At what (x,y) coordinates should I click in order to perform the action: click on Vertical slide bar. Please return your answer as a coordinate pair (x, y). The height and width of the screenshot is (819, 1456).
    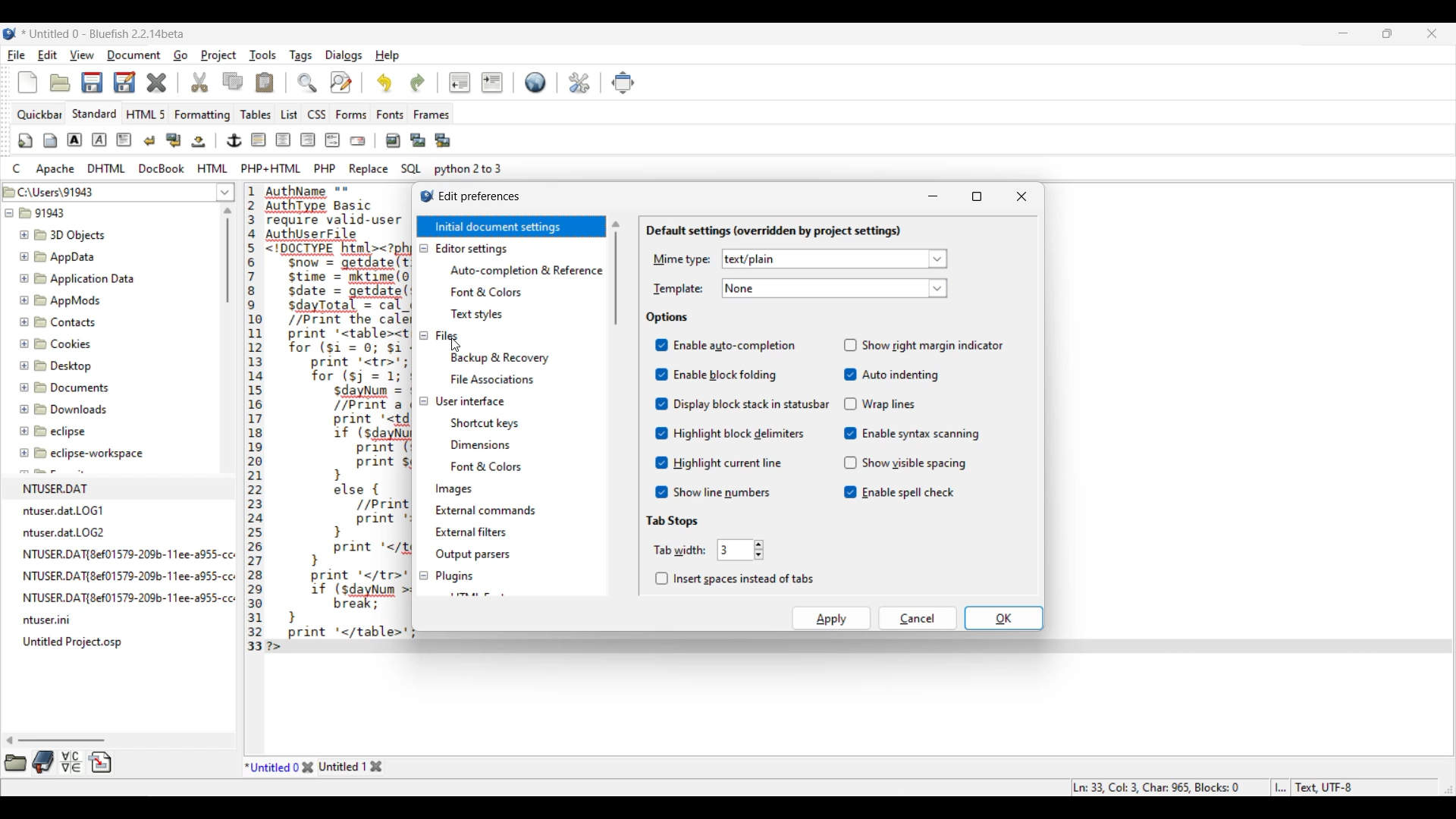
    Looking at the image, I should click on (227, 256).